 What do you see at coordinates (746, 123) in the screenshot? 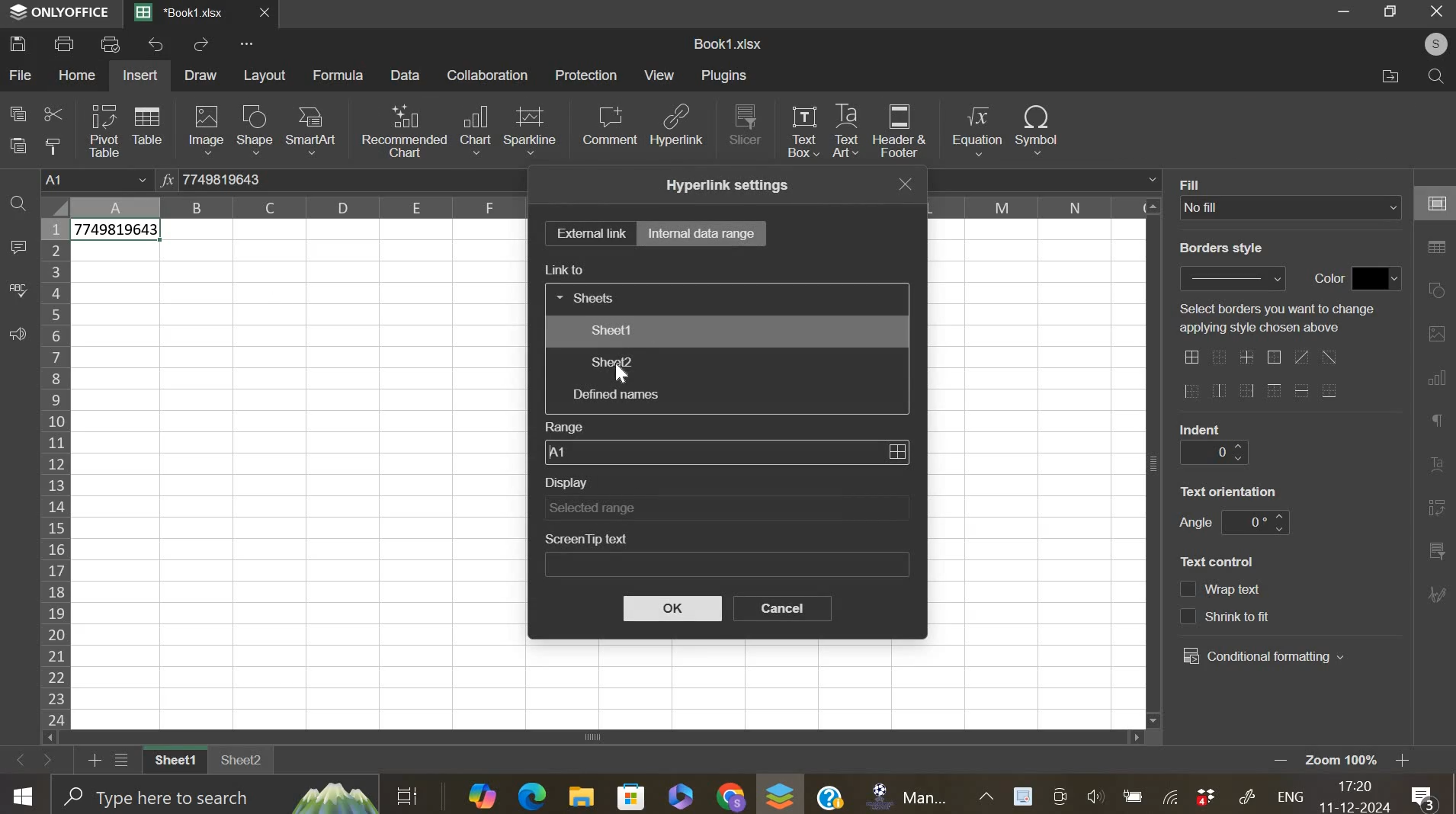
I see `slicer` at bounding box center [746, 123].